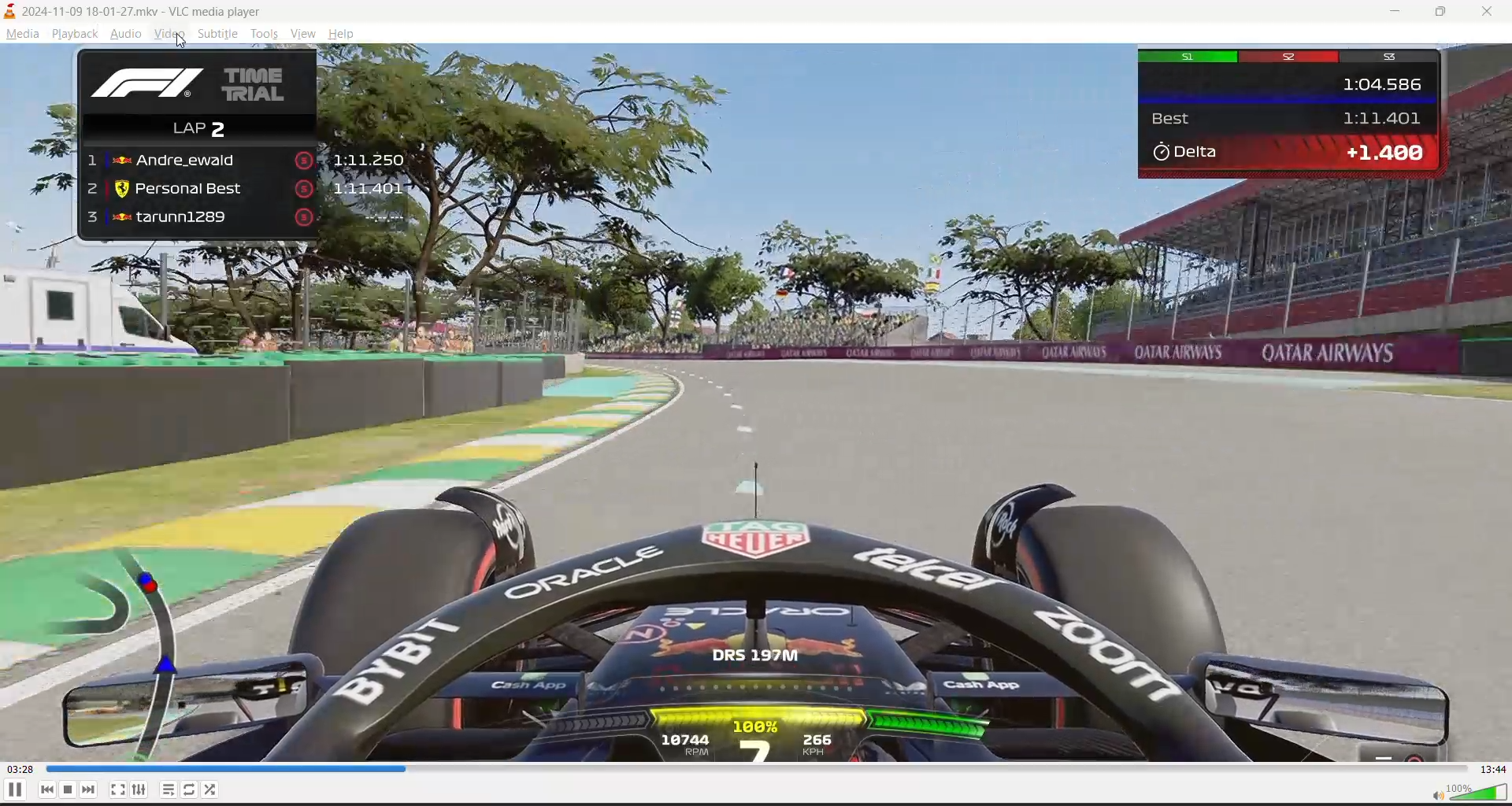  I want to click on track slider, so click(750, 769).